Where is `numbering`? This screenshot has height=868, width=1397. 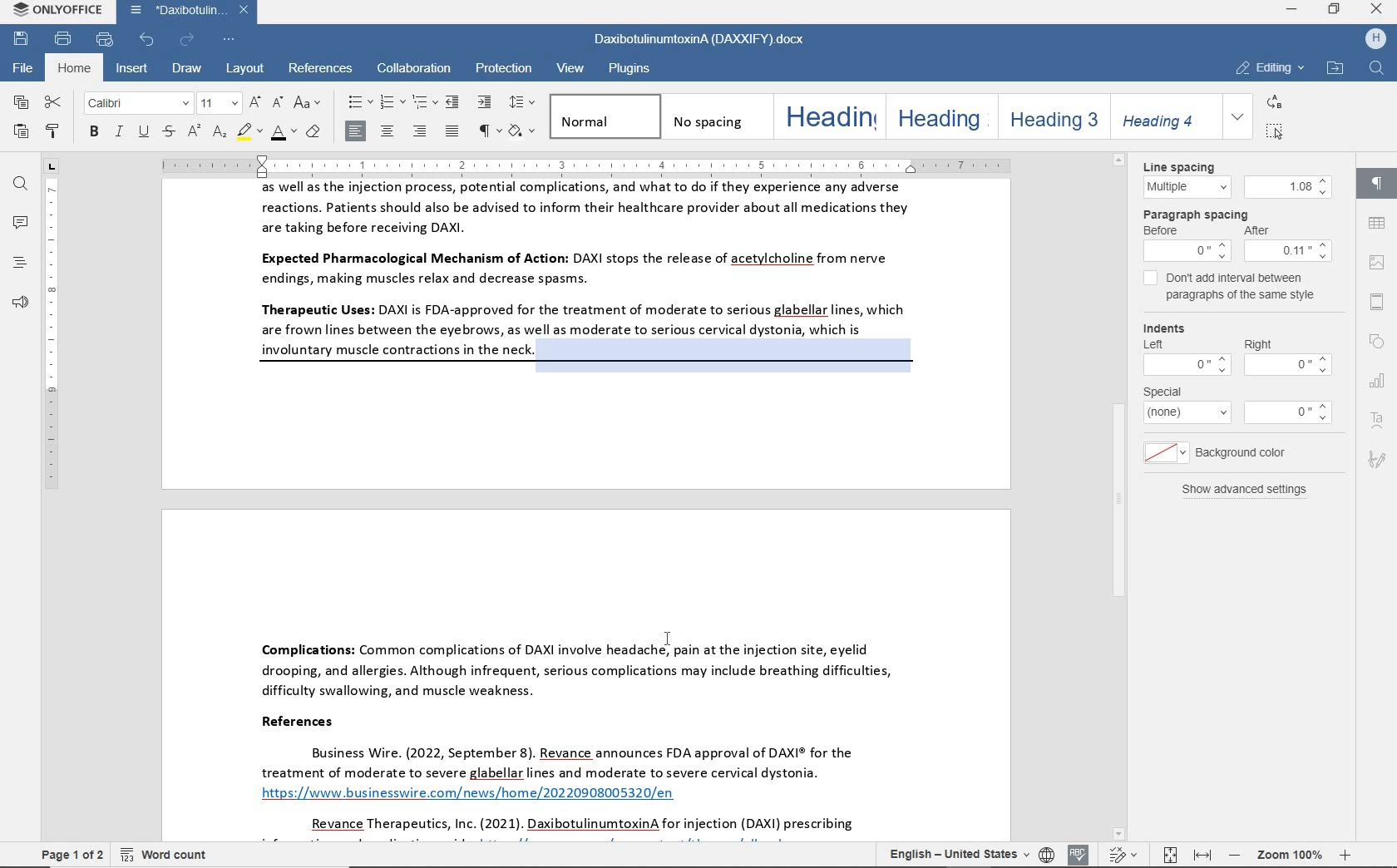
numbering is located at coordinates (390, 103).